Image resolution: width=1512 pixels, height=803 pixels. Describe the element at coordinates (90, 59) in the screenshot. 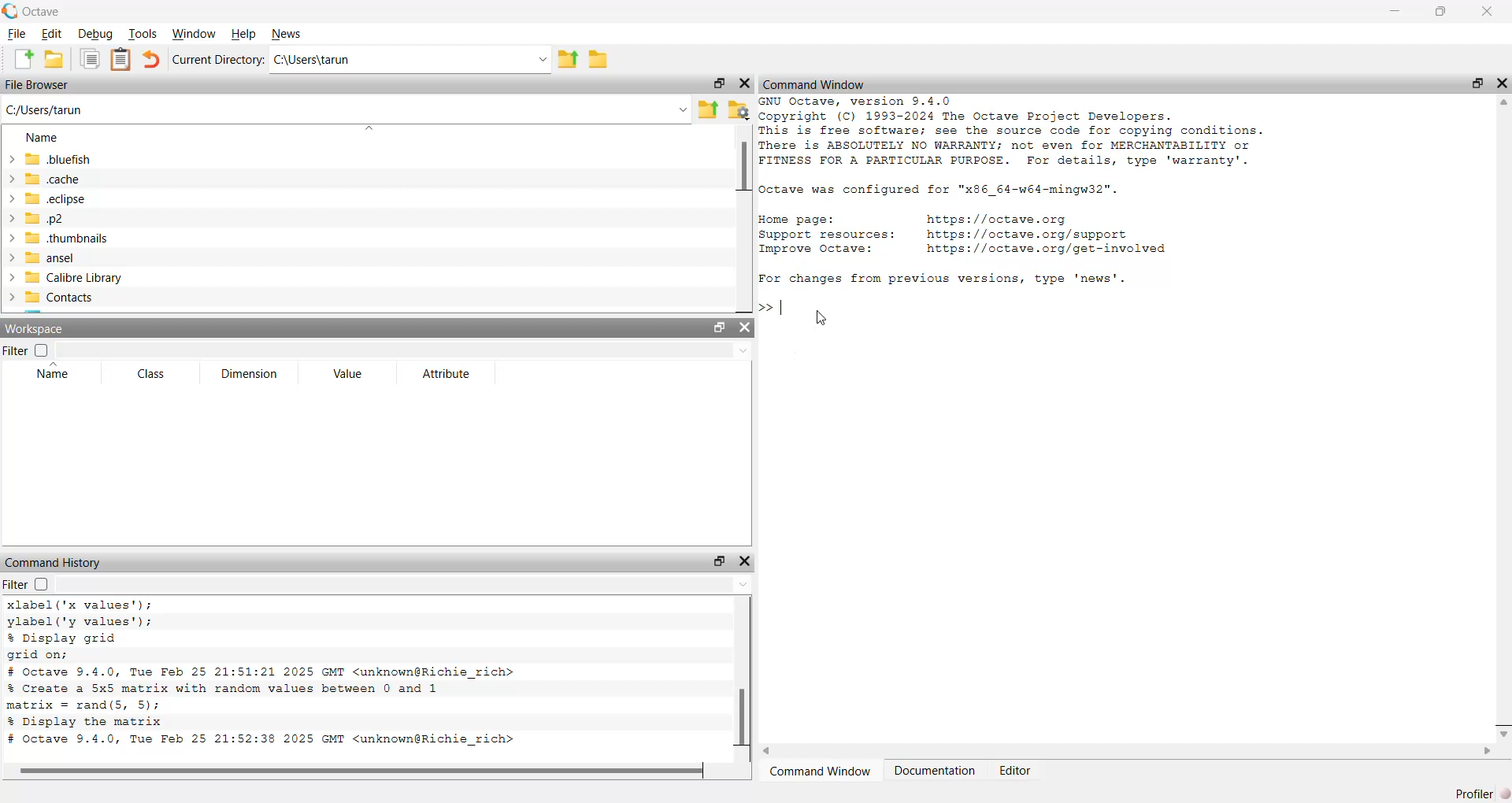

I see `copy` at that location.